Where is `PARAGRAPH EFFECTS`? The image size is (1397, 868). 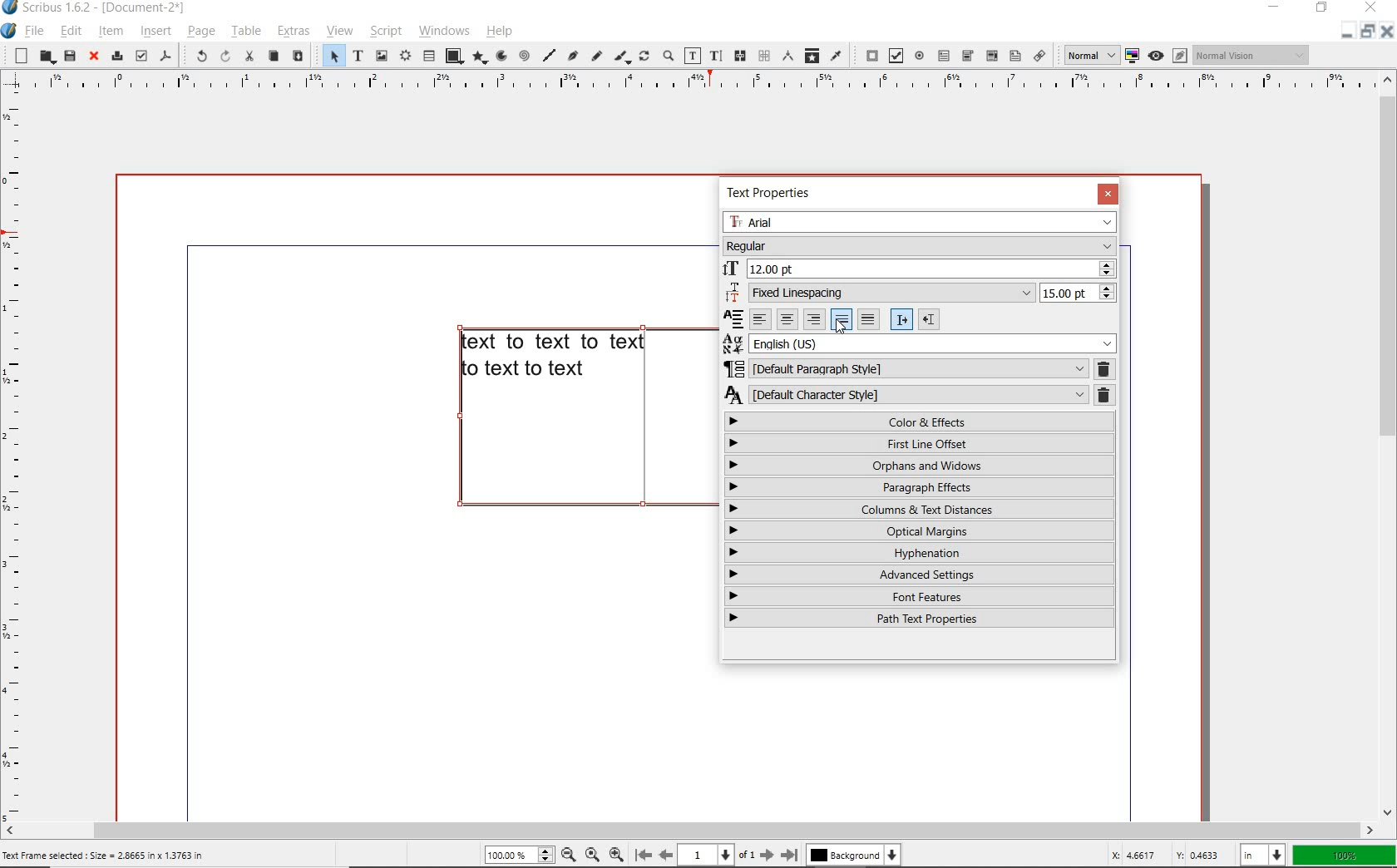
PARAGRAPH EFFECTS is located at coordinates (921, 488).